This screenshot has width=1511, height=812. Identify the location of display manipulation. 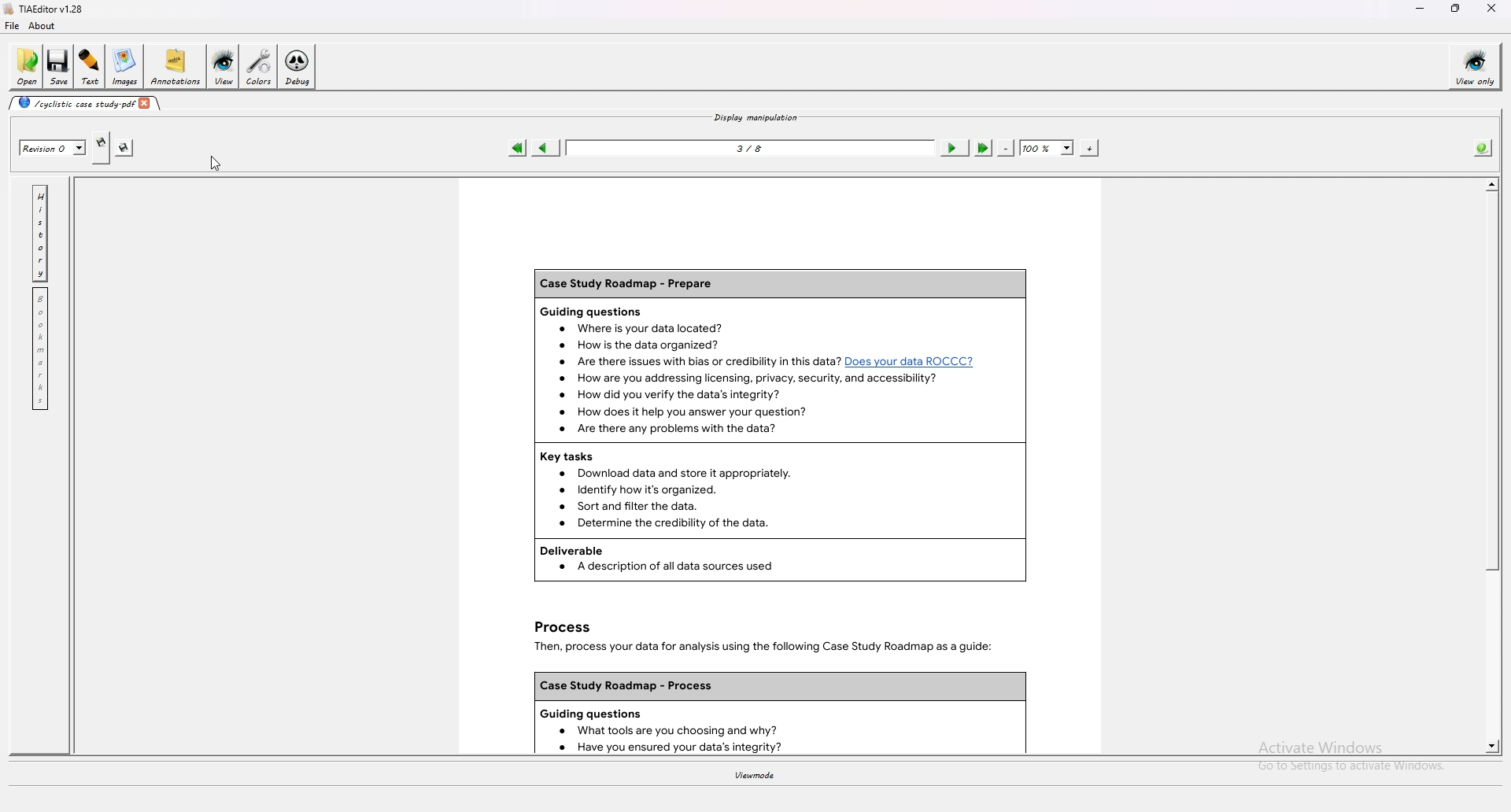
(755, 116).